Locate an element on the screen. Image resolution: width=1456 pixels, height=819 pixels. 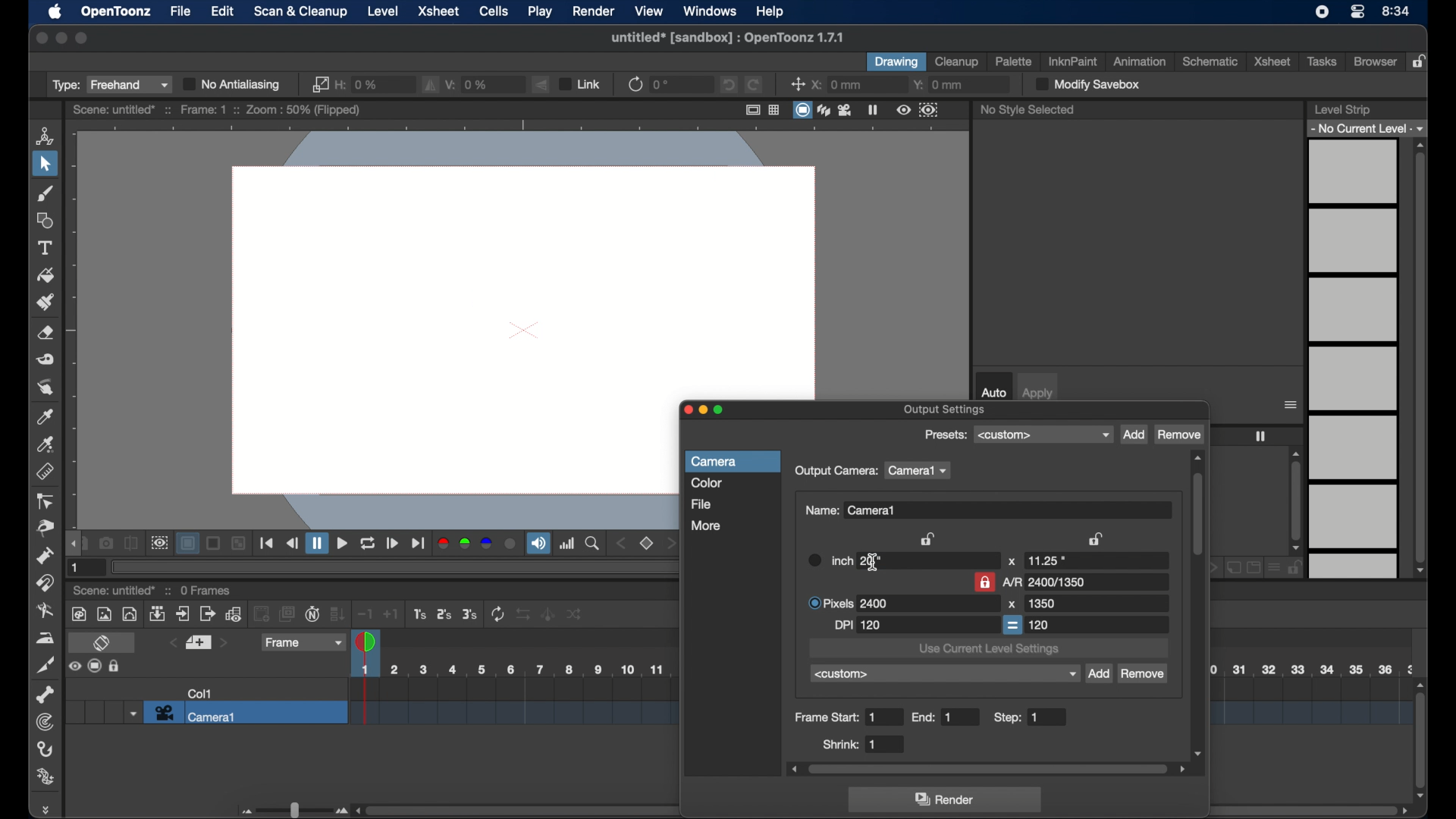
play is located at coordinates (541, 12).